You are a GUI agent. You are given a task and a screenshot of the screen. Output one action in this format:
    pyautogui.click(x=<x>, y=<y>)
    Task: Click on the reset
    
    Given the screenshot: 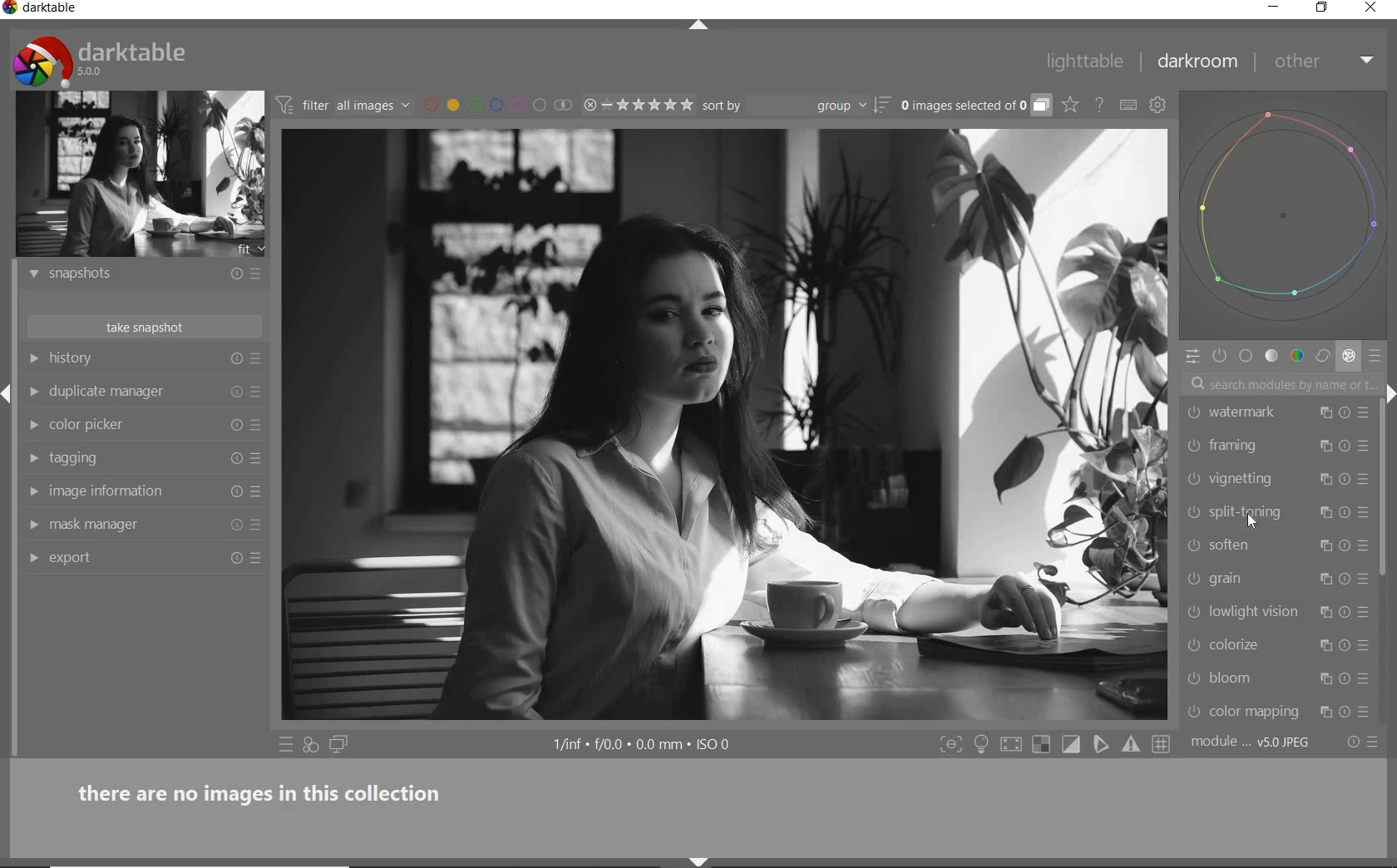 What is the action you would take?
    pyautogui.click(x=235, y=528)
    